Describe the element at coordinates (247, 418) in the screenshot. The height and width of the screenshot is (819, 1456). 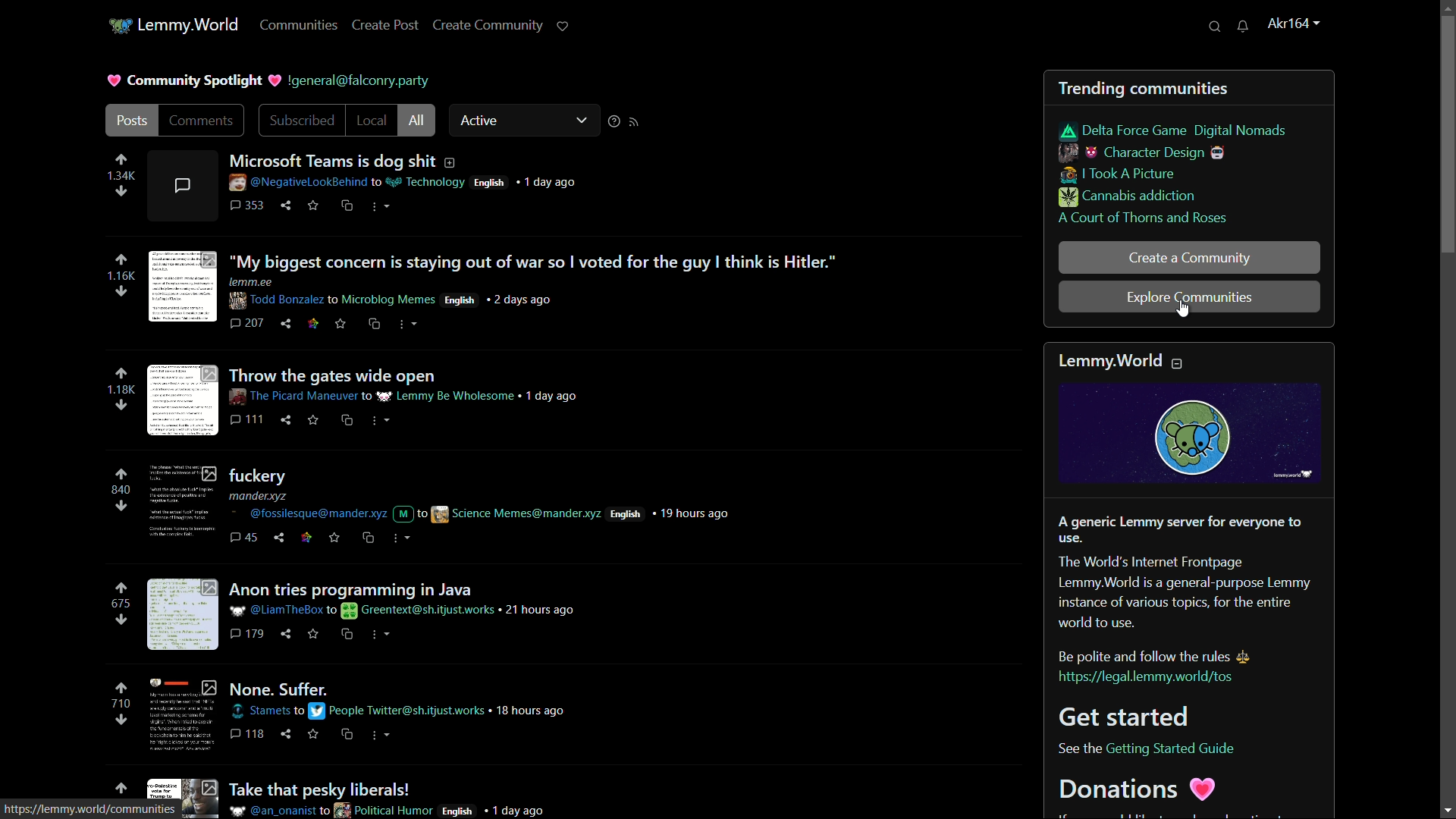
I see `comments` at that location.